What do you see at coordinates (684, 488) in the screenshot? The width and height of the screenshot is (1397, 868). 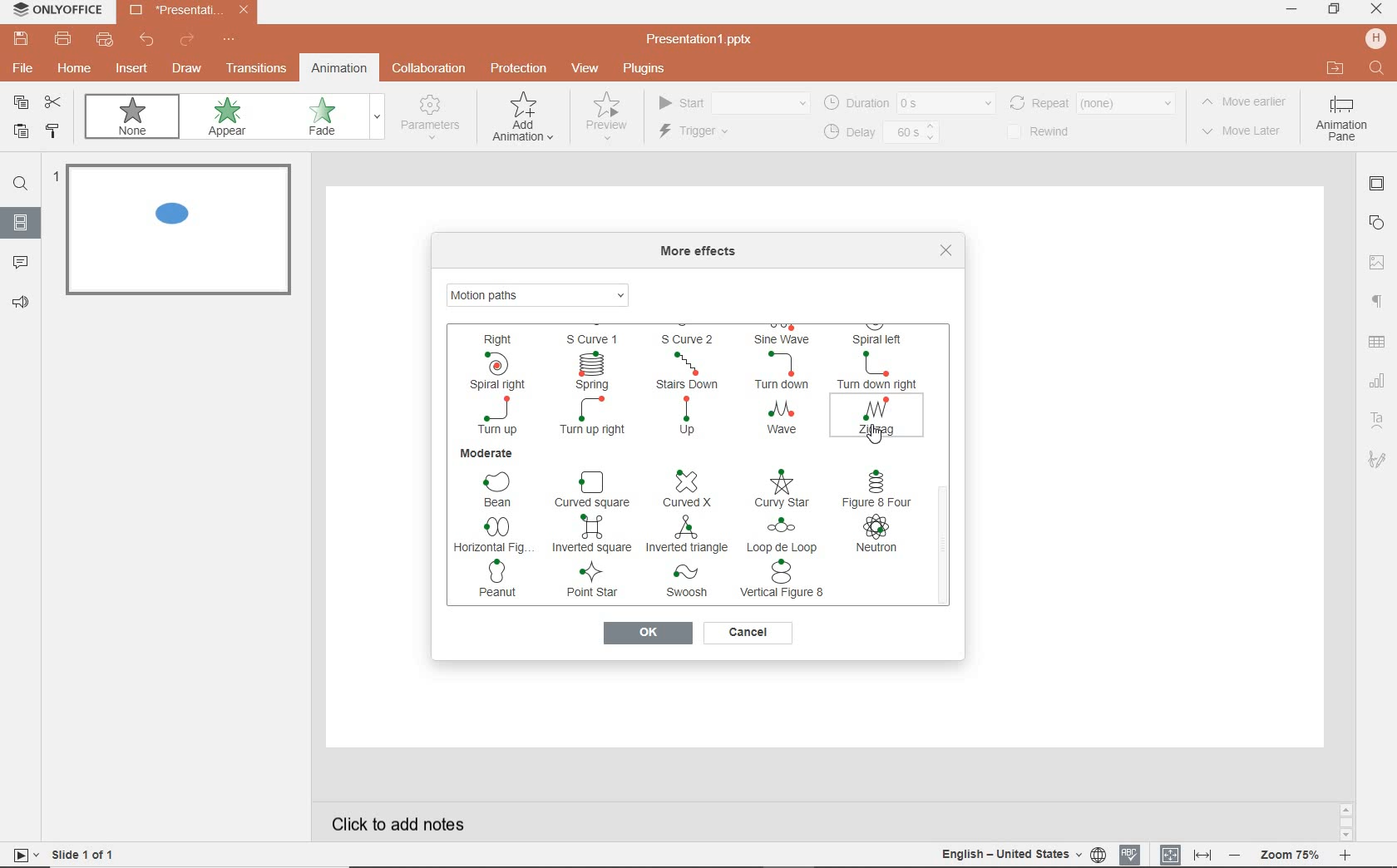 I see `curved x` at bounding box center [684, 488].